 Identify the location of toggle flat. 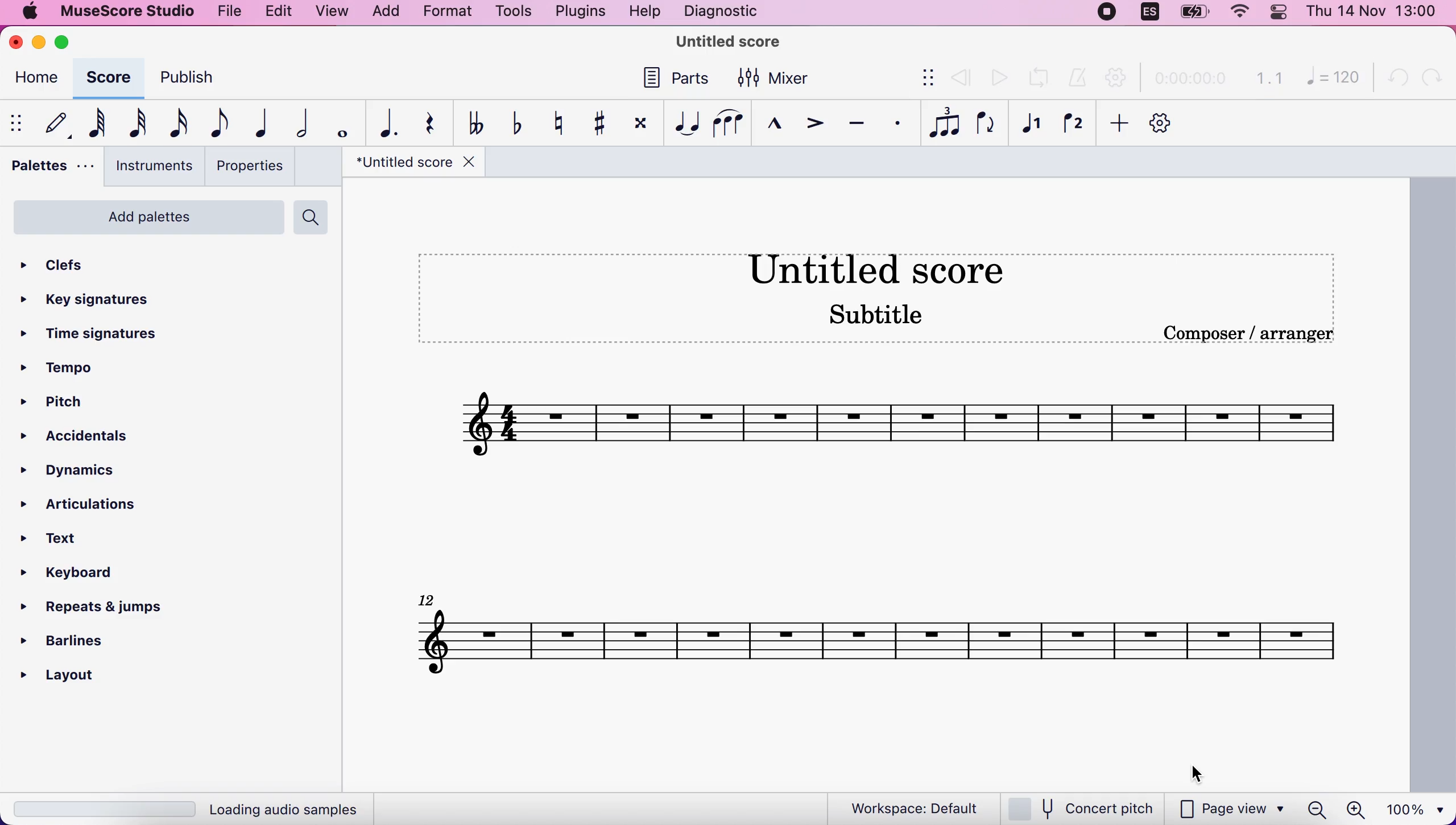
(512, 122).